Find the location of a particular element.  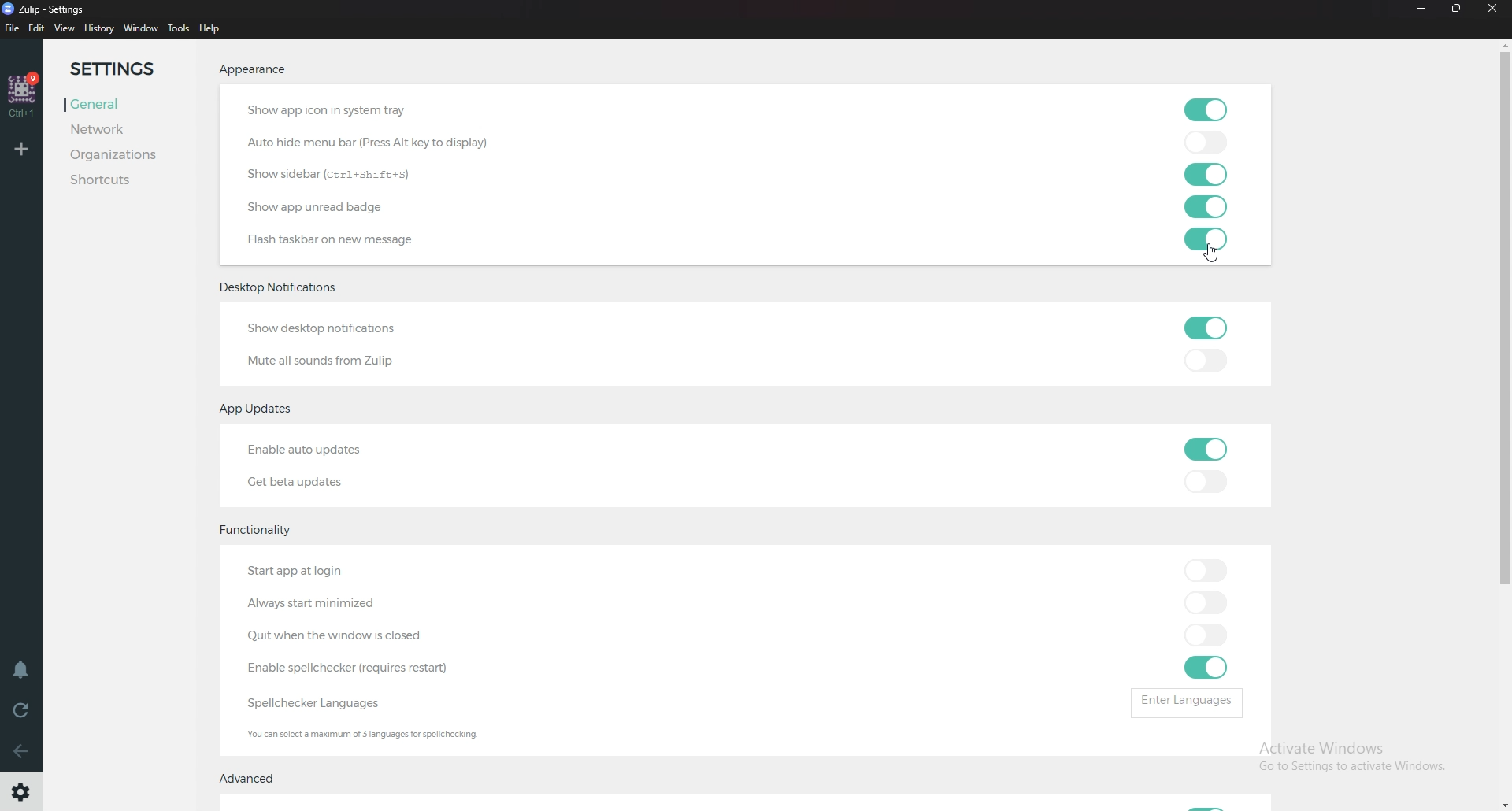

back is located at coordinates (24, 751).